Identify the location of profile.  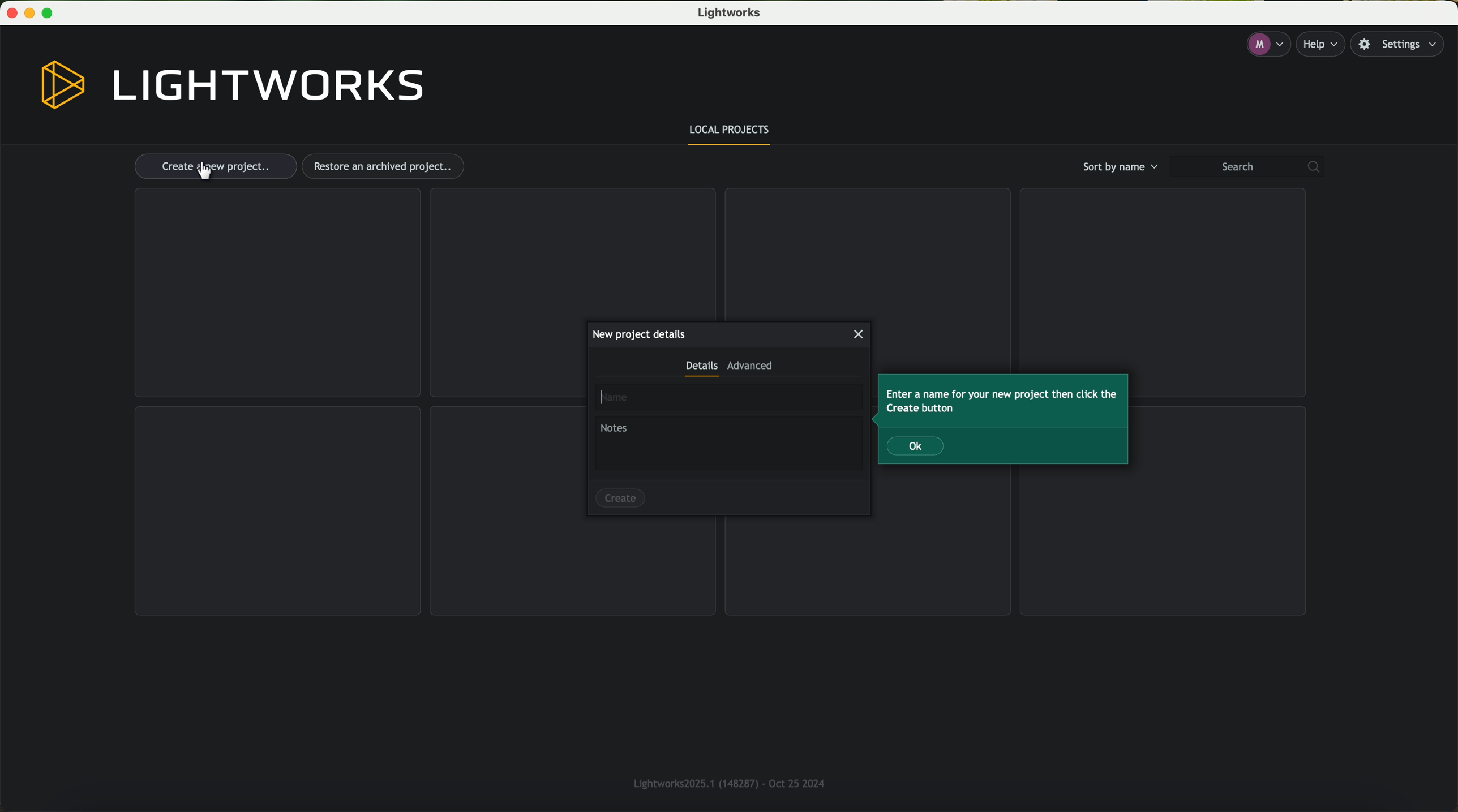
(1267, 45).